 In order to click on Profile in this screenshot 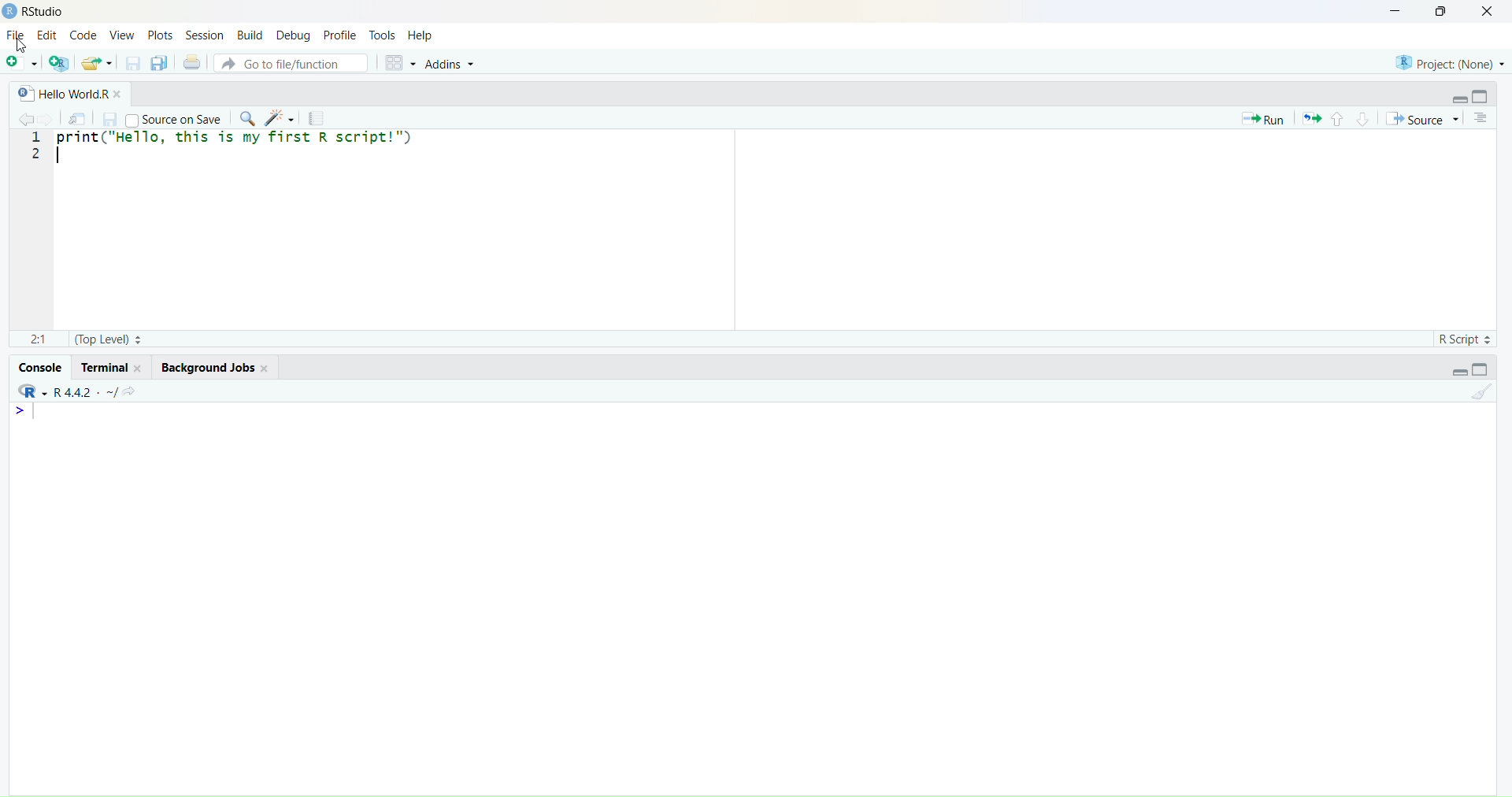, I will do `click(339, 35)`.